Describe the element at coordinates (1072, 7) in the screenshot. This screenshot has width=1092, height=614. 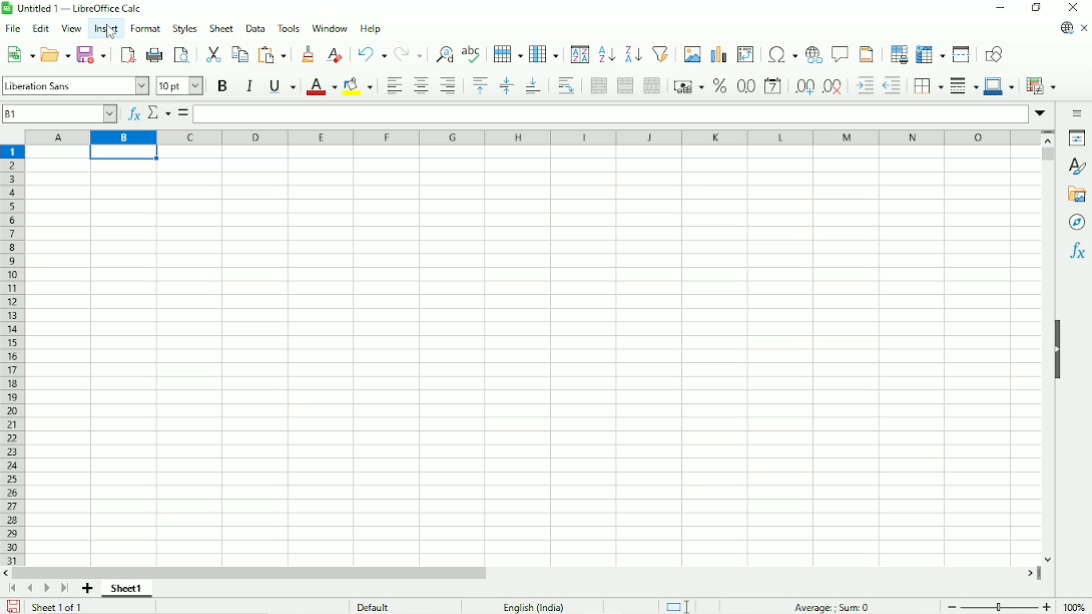
I see `Close` at that location.